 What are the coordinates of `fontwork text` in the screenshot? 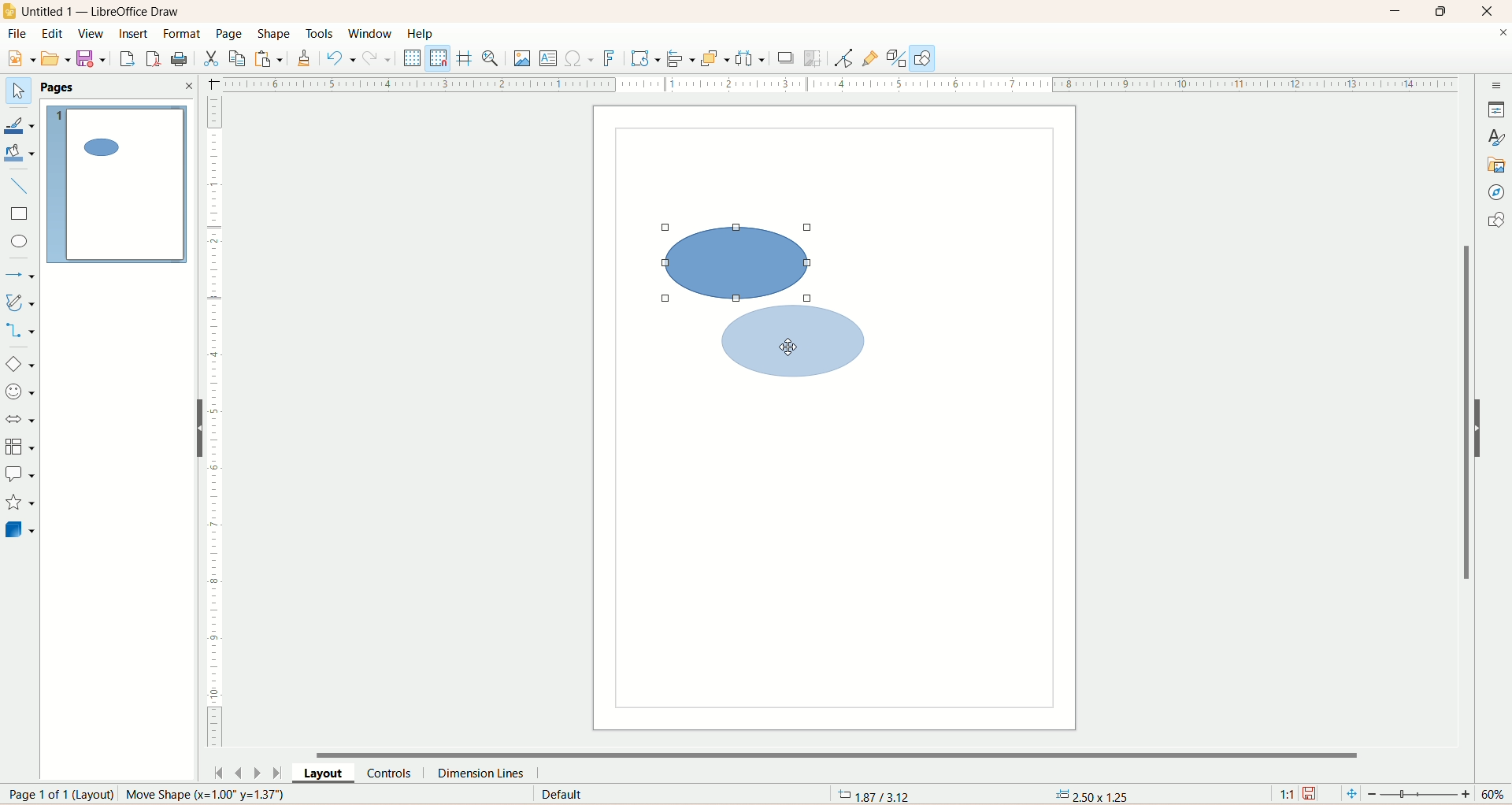 It's located at (609, 59).